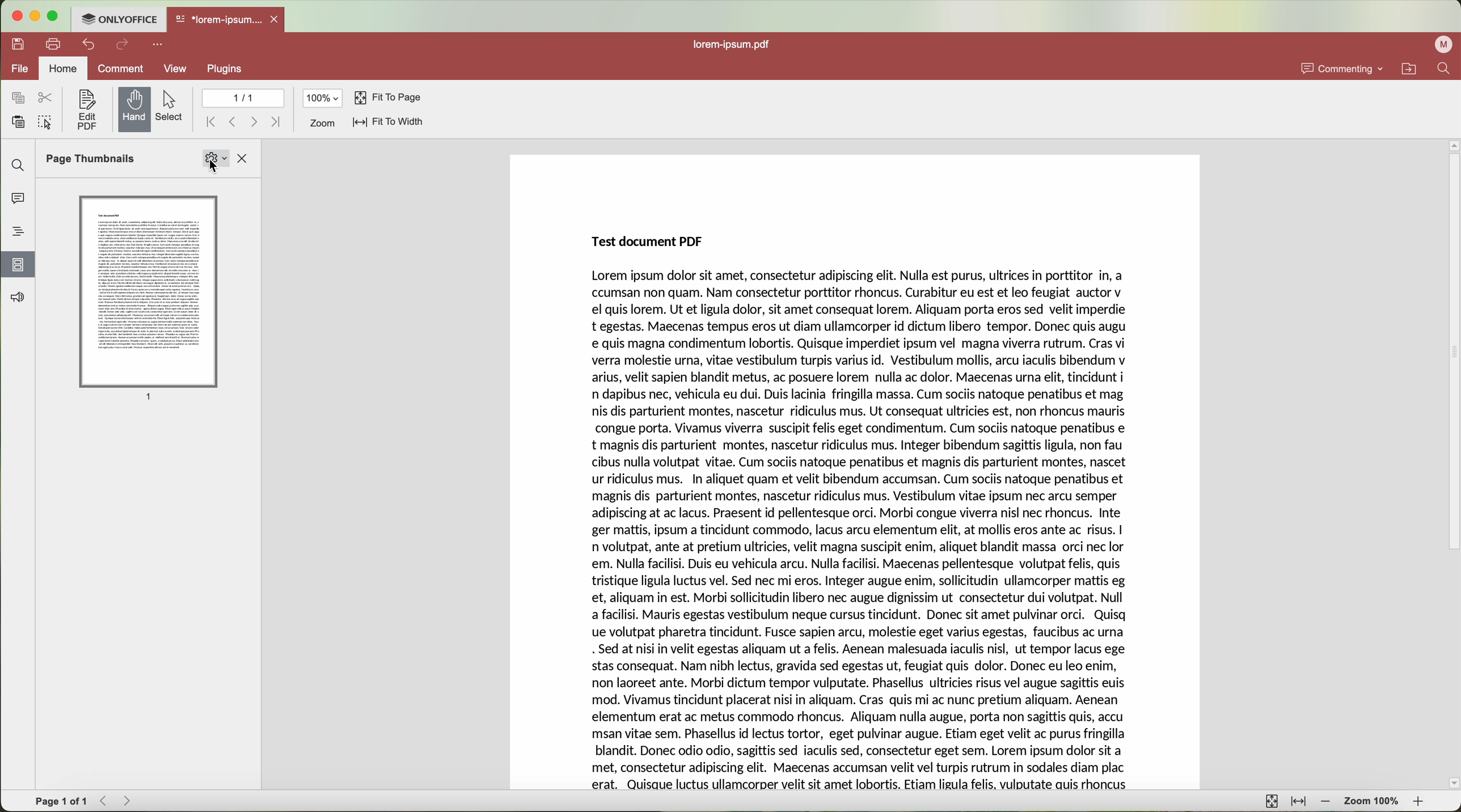 Image resolution: width=1461 pixels, height=812 pixels. What do you see at coordinates (244, 122) in the screenshot?
I see `navigate arrows` at bounding box center [244, 122].